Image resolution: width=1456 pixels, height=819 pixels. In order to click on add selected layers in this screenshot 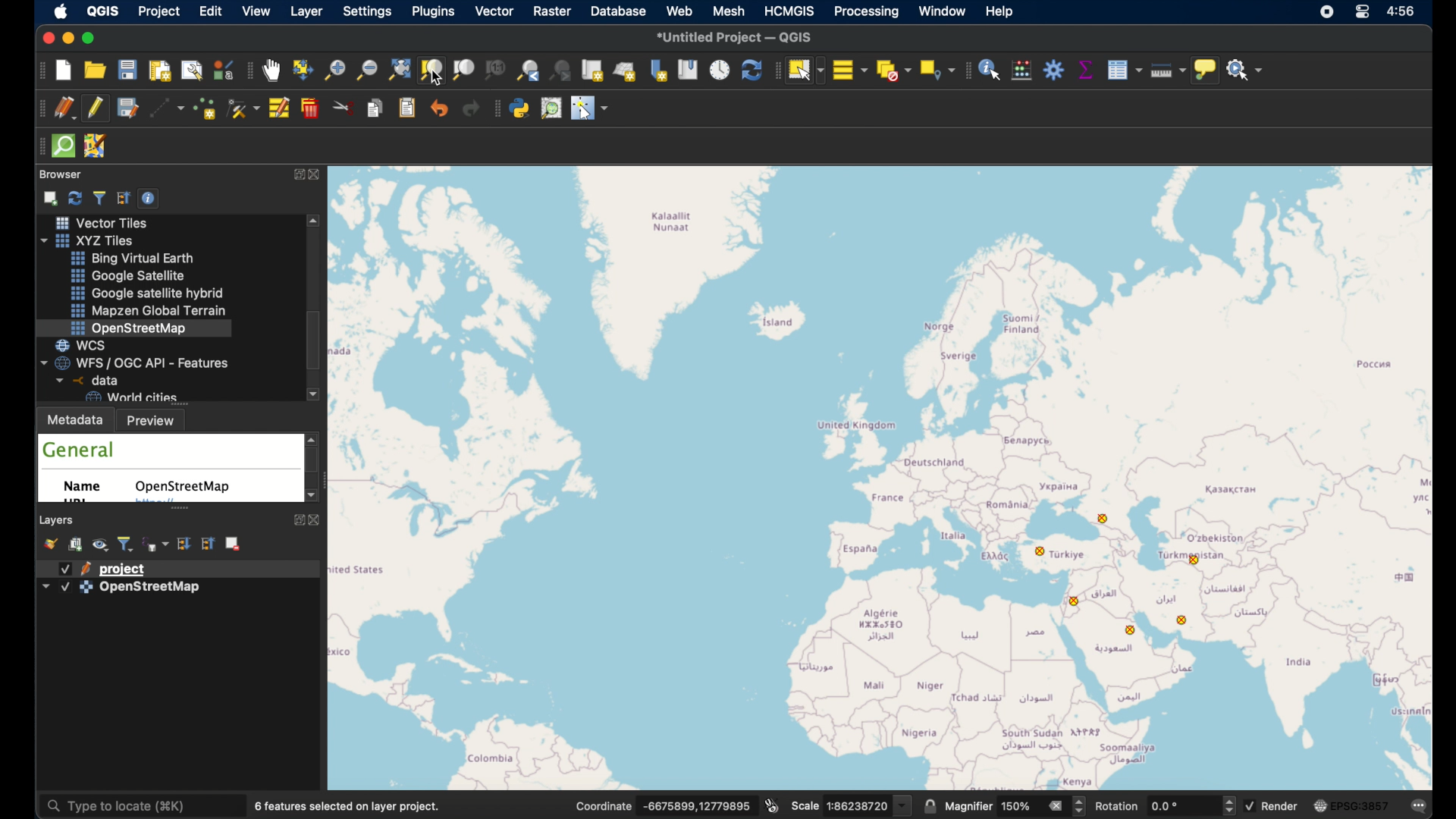, I will do `click(49, 197)`.